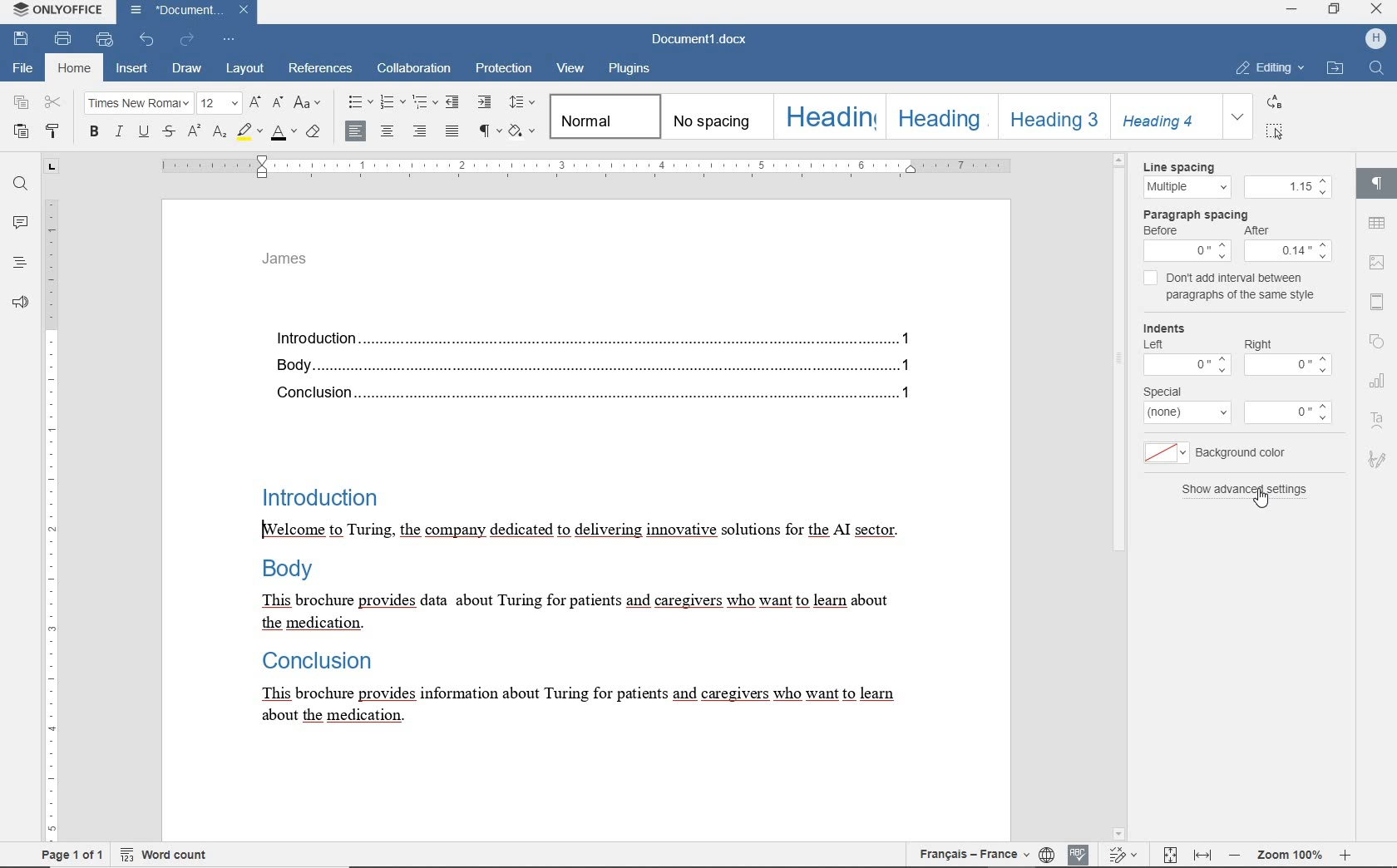 Image resolution: width=1397 pixels, height=868 pixels. I want to click on fit to page, so click(1168, 856).